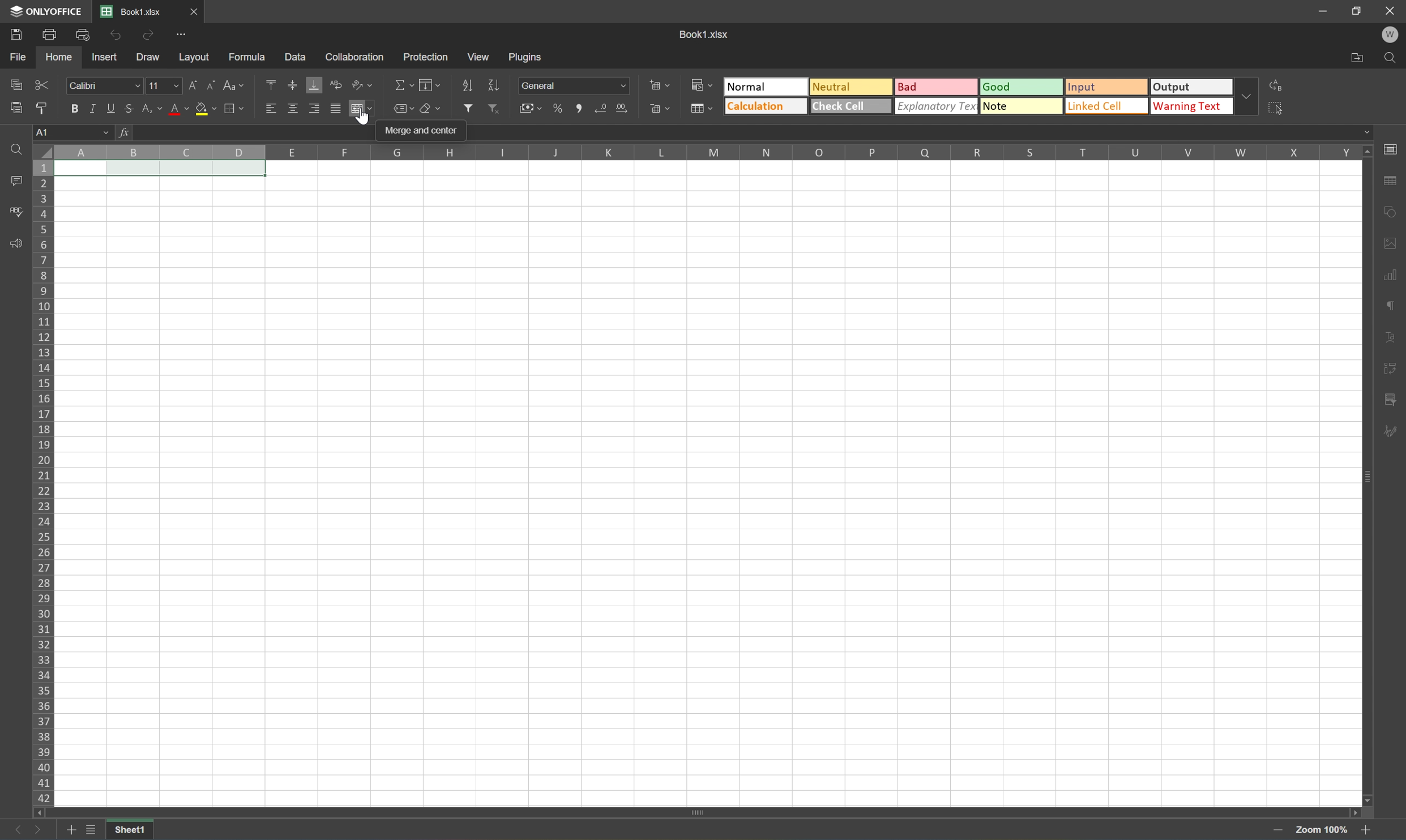 The height and width of the screenshot is (840, 1406). I want to click on Summation, so click(402, 85).